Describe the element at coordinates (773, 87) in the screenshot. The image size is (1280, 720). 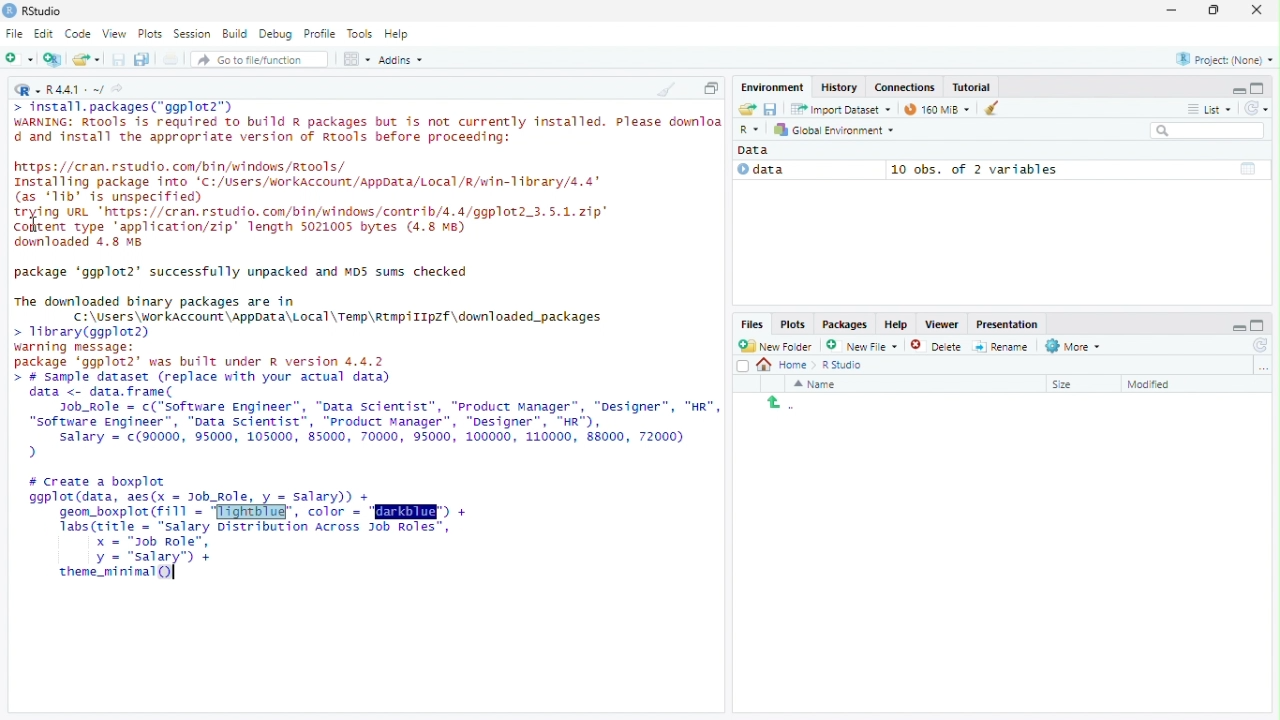
I see `Environment` at that location.